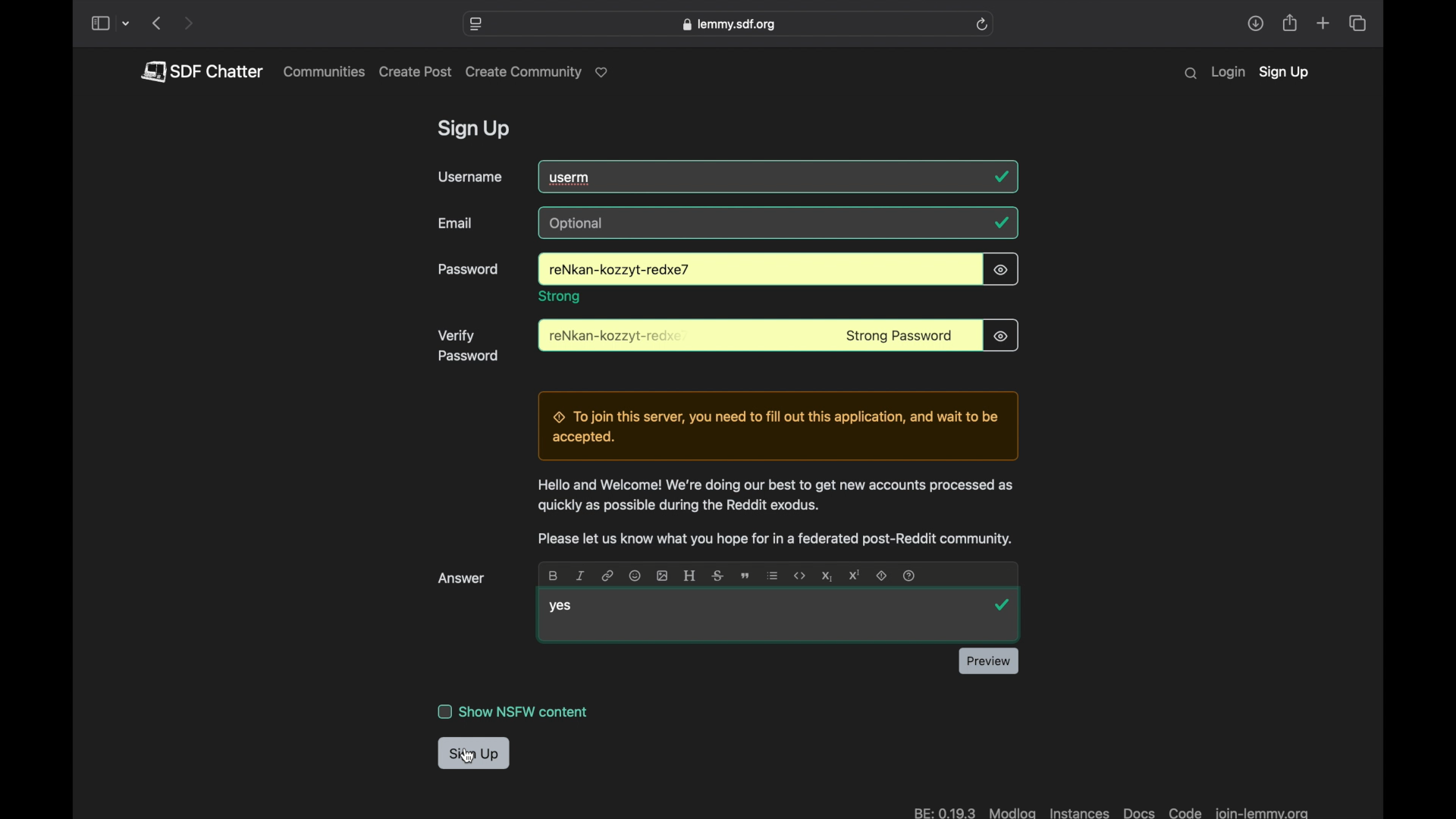 Image resolution: width=1456 pixels, height=819 pixels. I want to click on Welcome to lemmy message, so click(773, 496).